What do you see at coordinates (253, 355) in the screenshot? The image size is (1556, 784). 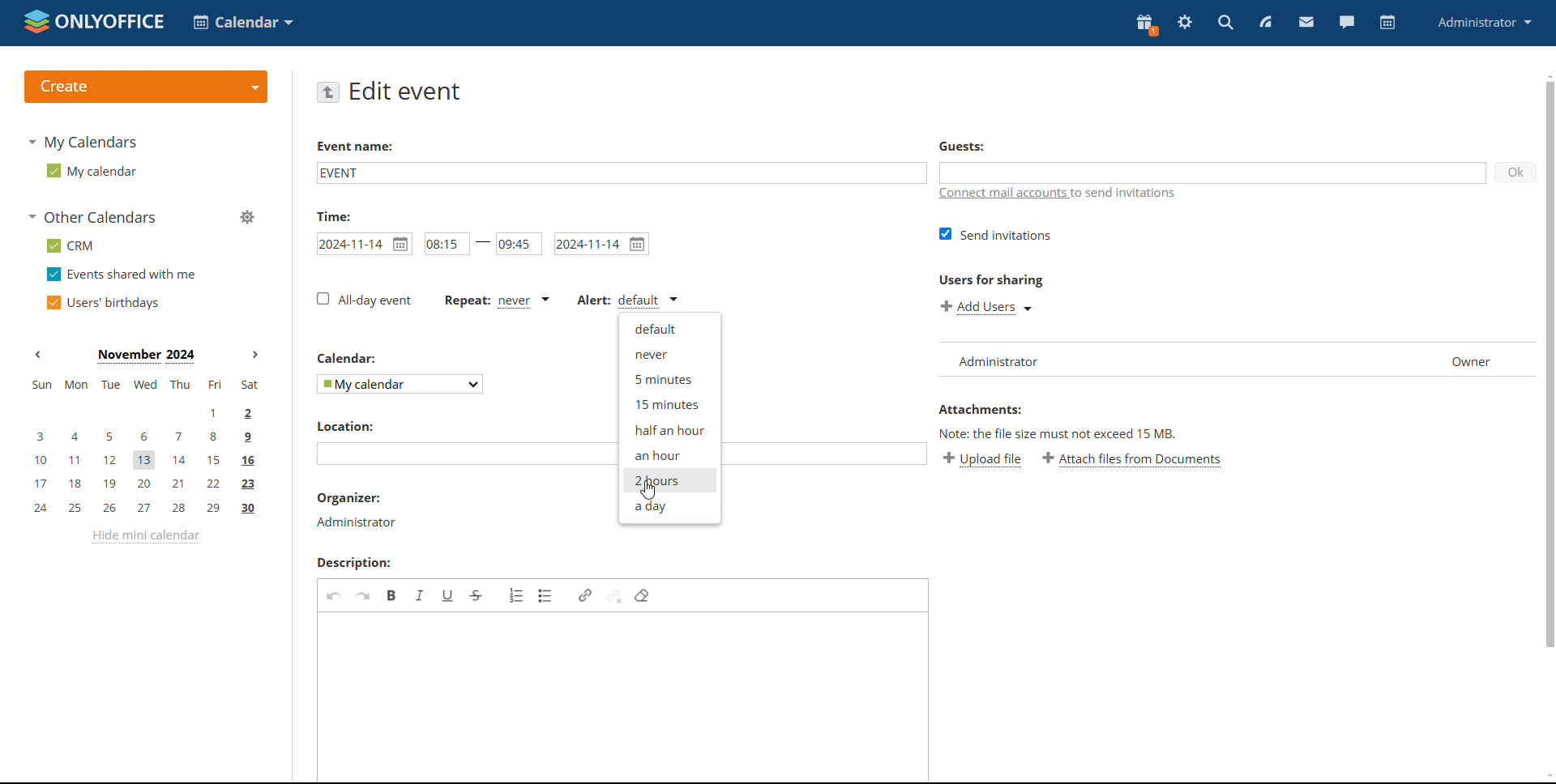 I see `next month` at bounding box center [253, 355].